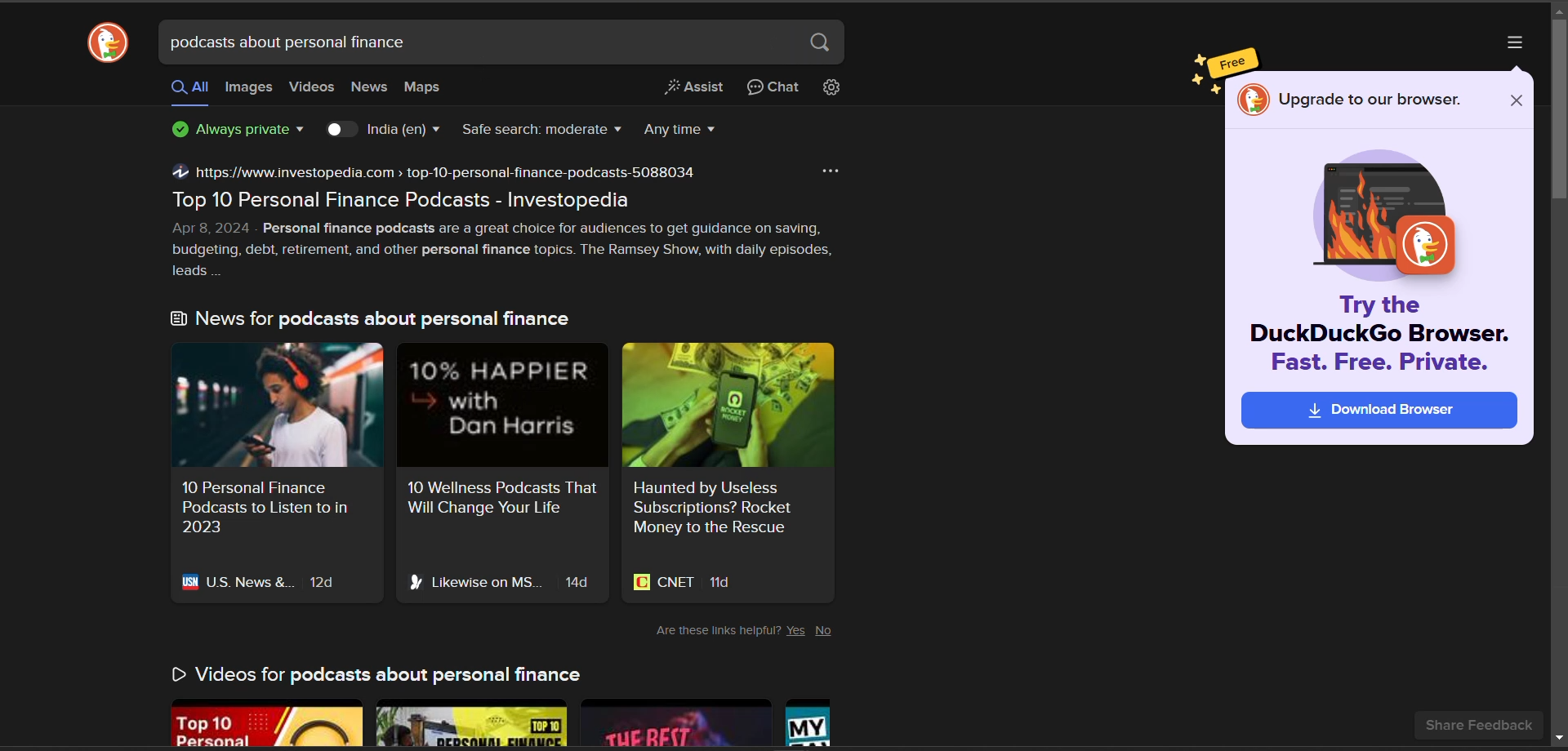 This screenshot has height=751, width=1568. What do you see at coordinates (342, 131) in the screenshot?
I see `country search toggle key` at bounding box center [342, 131].